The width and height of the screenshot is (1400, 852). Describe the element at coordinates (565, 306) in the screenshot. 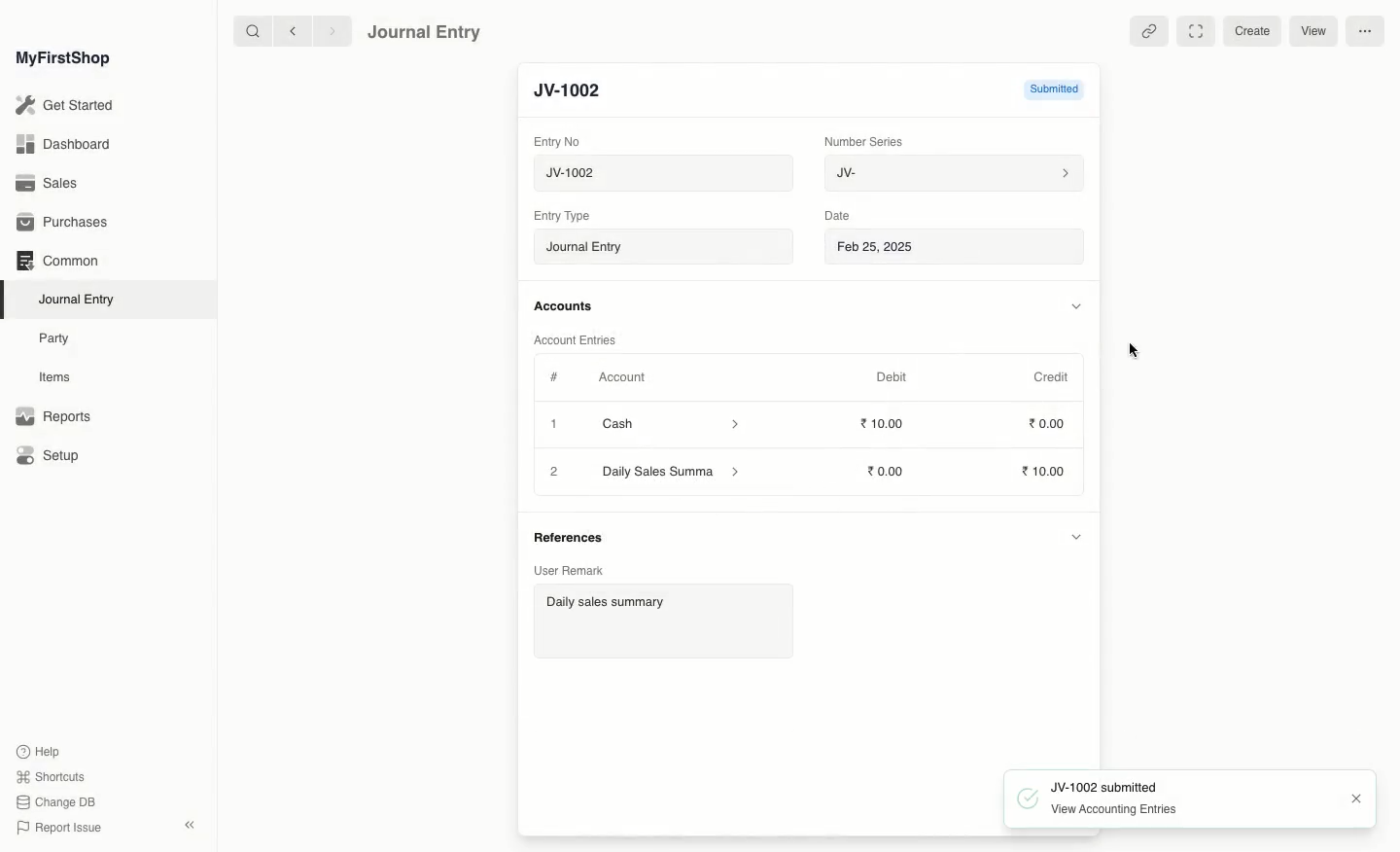

I see `Accounts` at that location.